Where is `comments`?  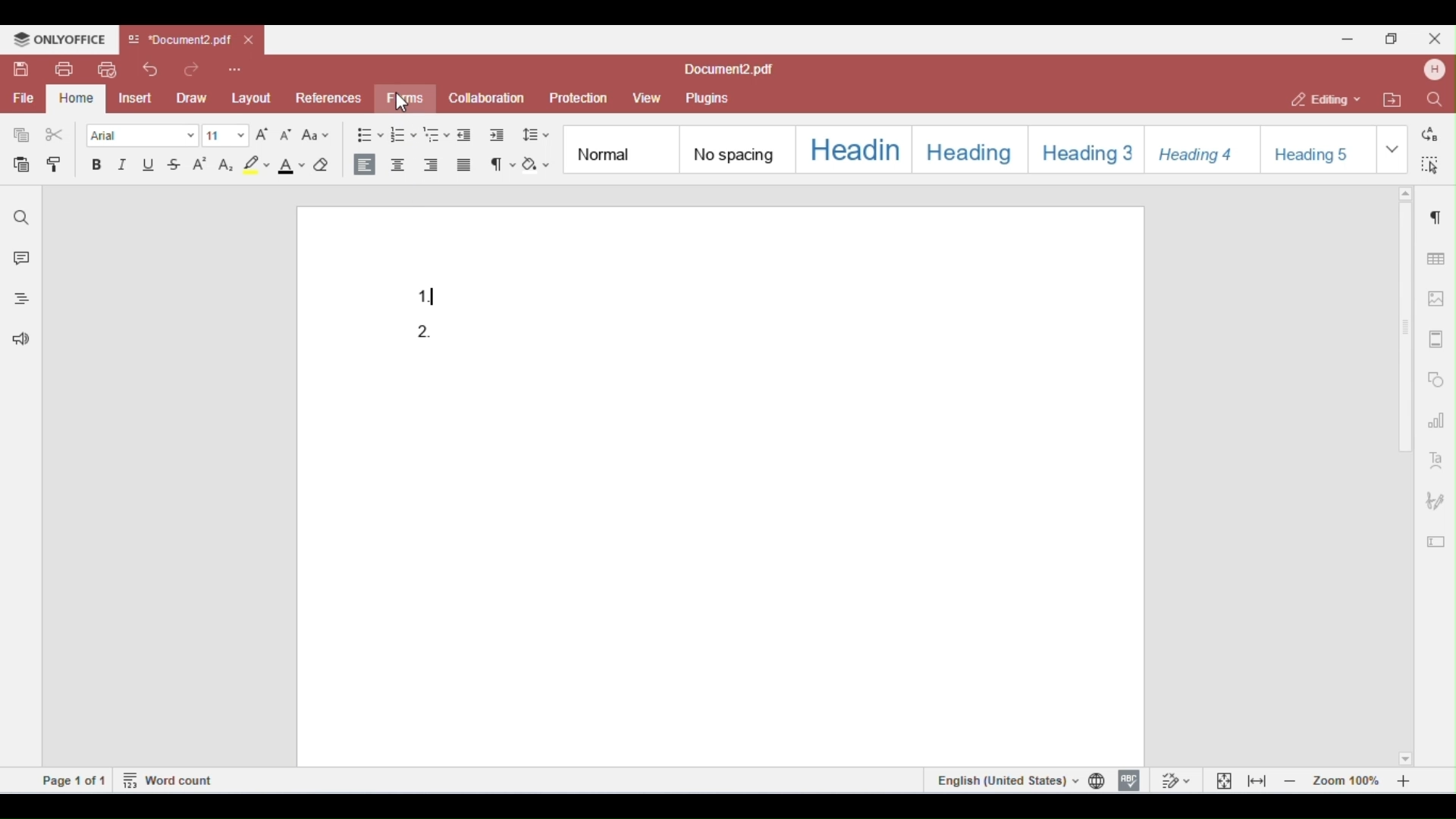
comments is located at coordinates (18, 260).